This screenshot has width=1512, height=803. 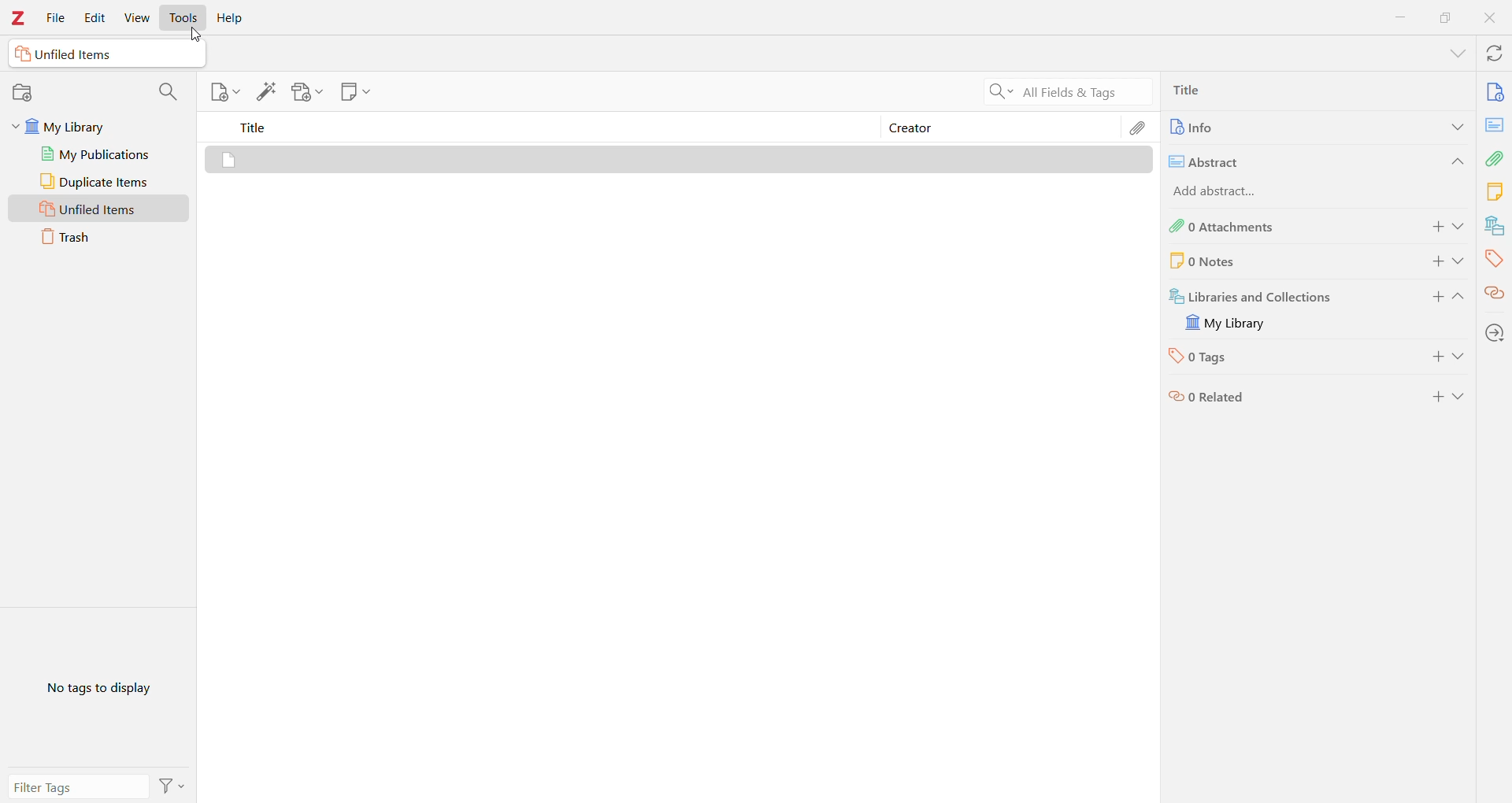 I want to click on Item, so click(x=680, y=161).